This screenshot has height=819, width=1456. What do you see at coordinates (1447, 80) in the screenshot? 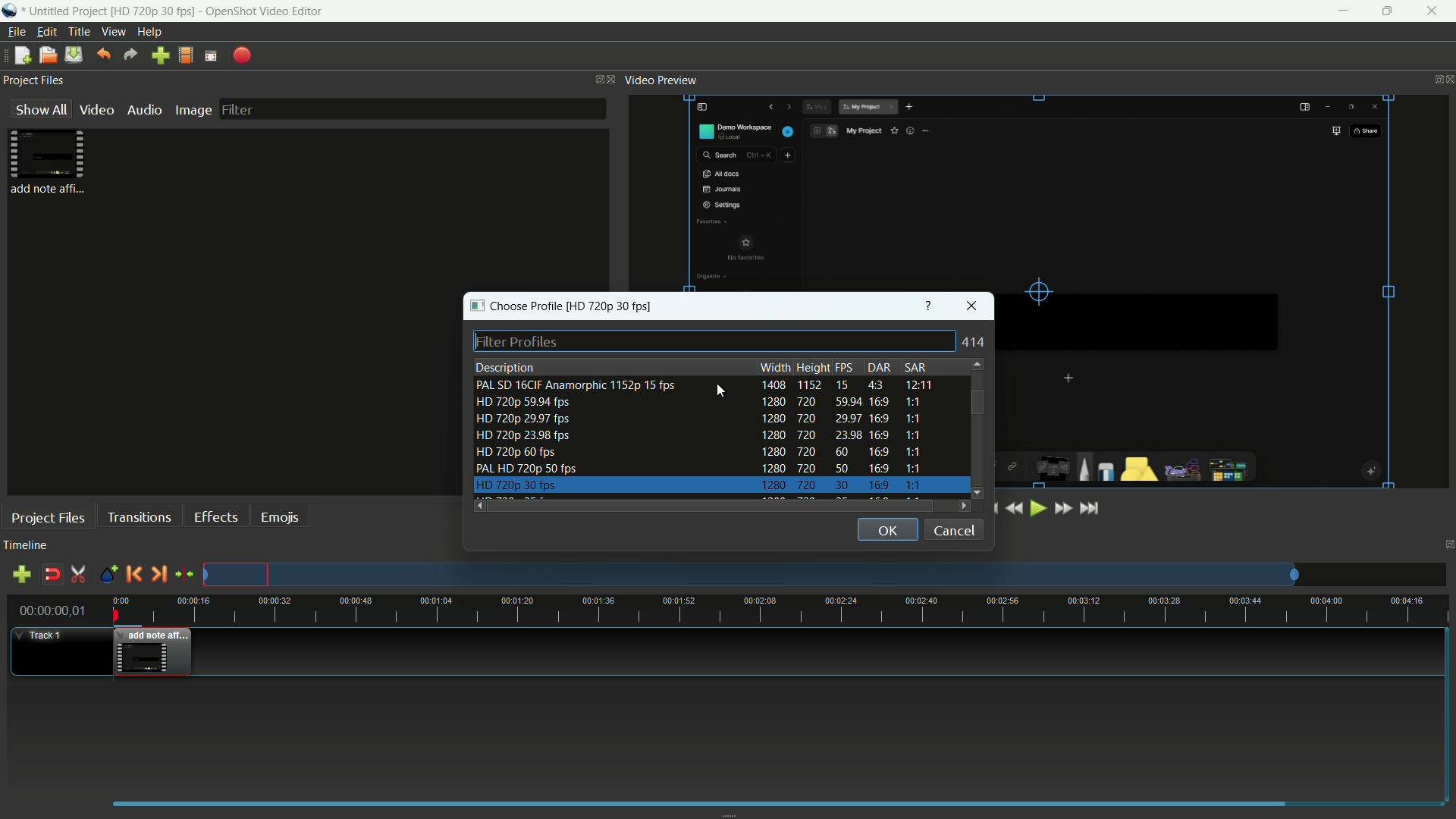
I see `close preview video` at bounding box center [1447, 80].